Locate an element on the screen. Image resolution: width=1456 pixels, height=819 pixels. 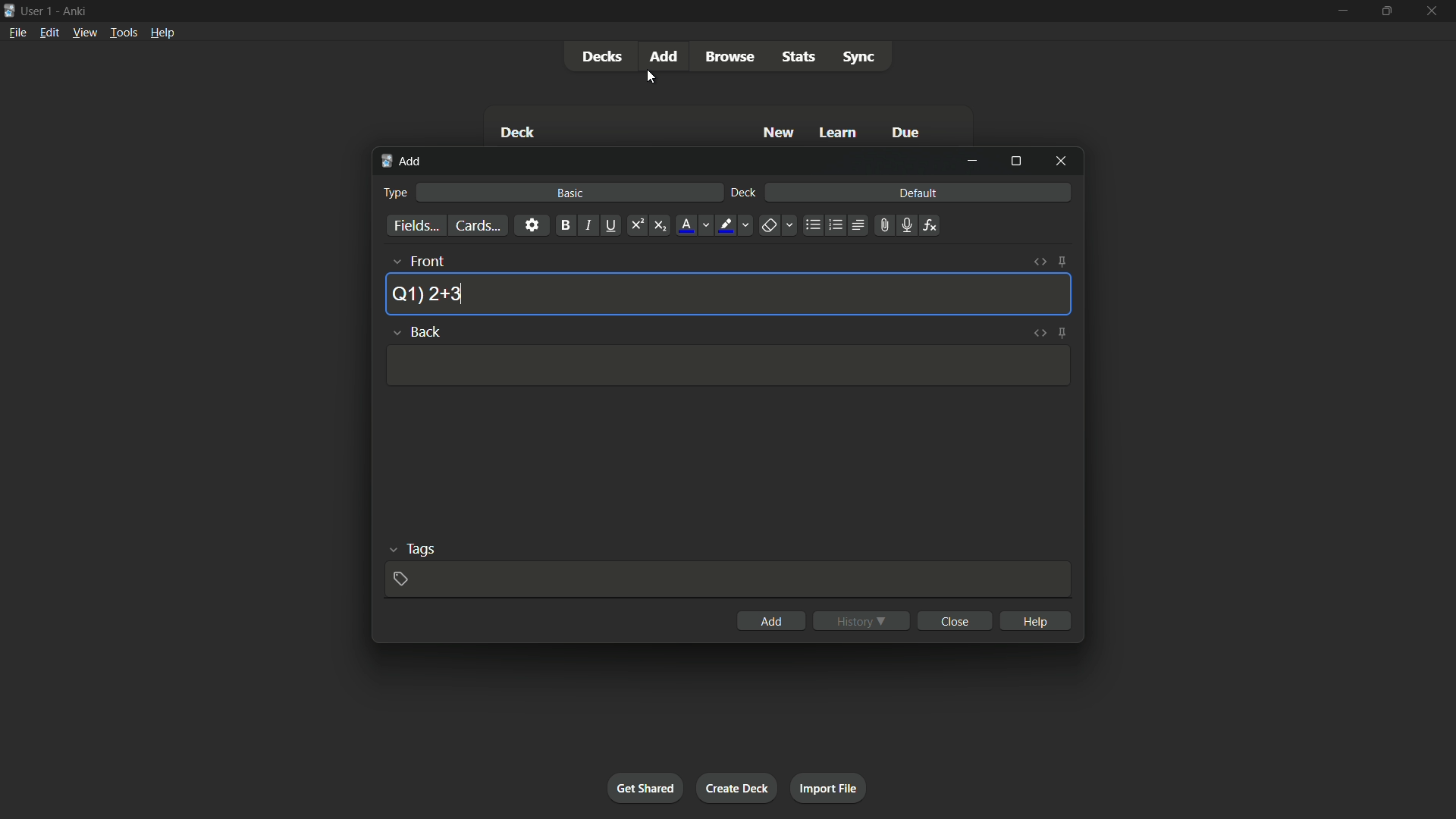
close window is located at coordinates (1062, 160).